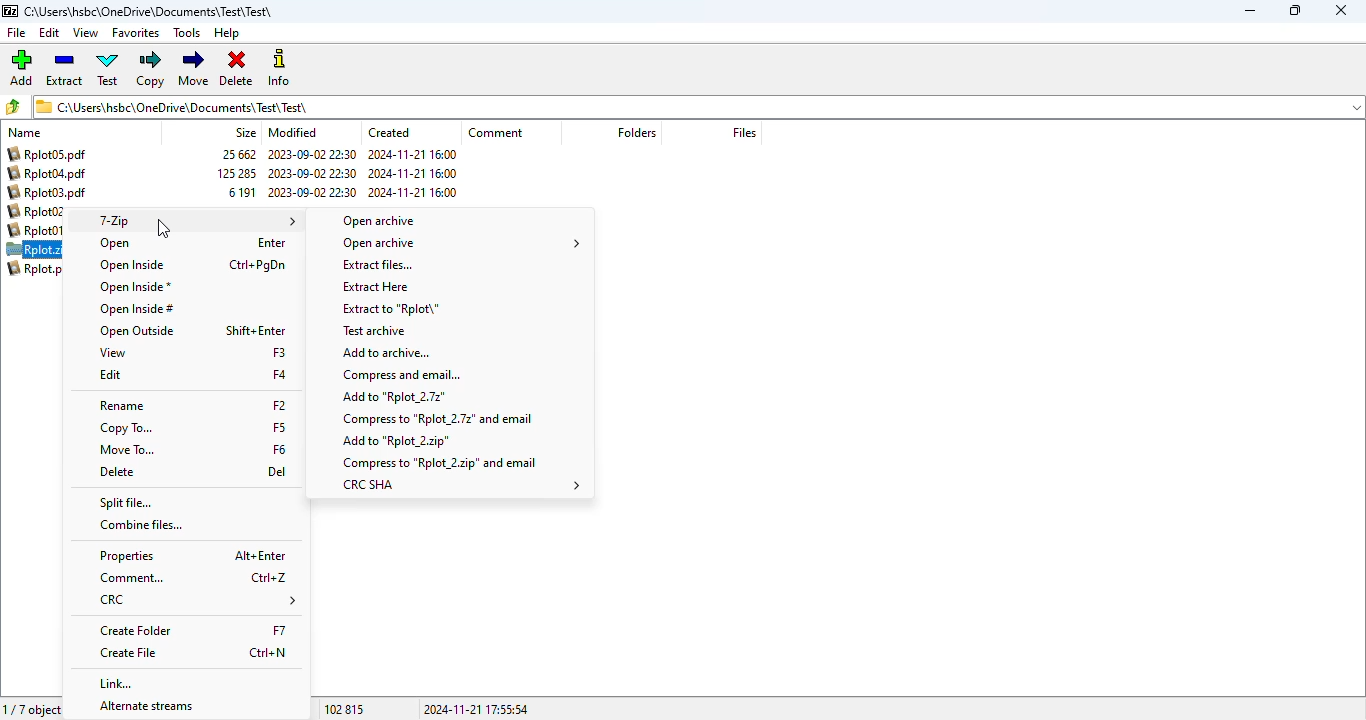 The image size is (1366, 720). I want to click on F7, so click(280, 631).